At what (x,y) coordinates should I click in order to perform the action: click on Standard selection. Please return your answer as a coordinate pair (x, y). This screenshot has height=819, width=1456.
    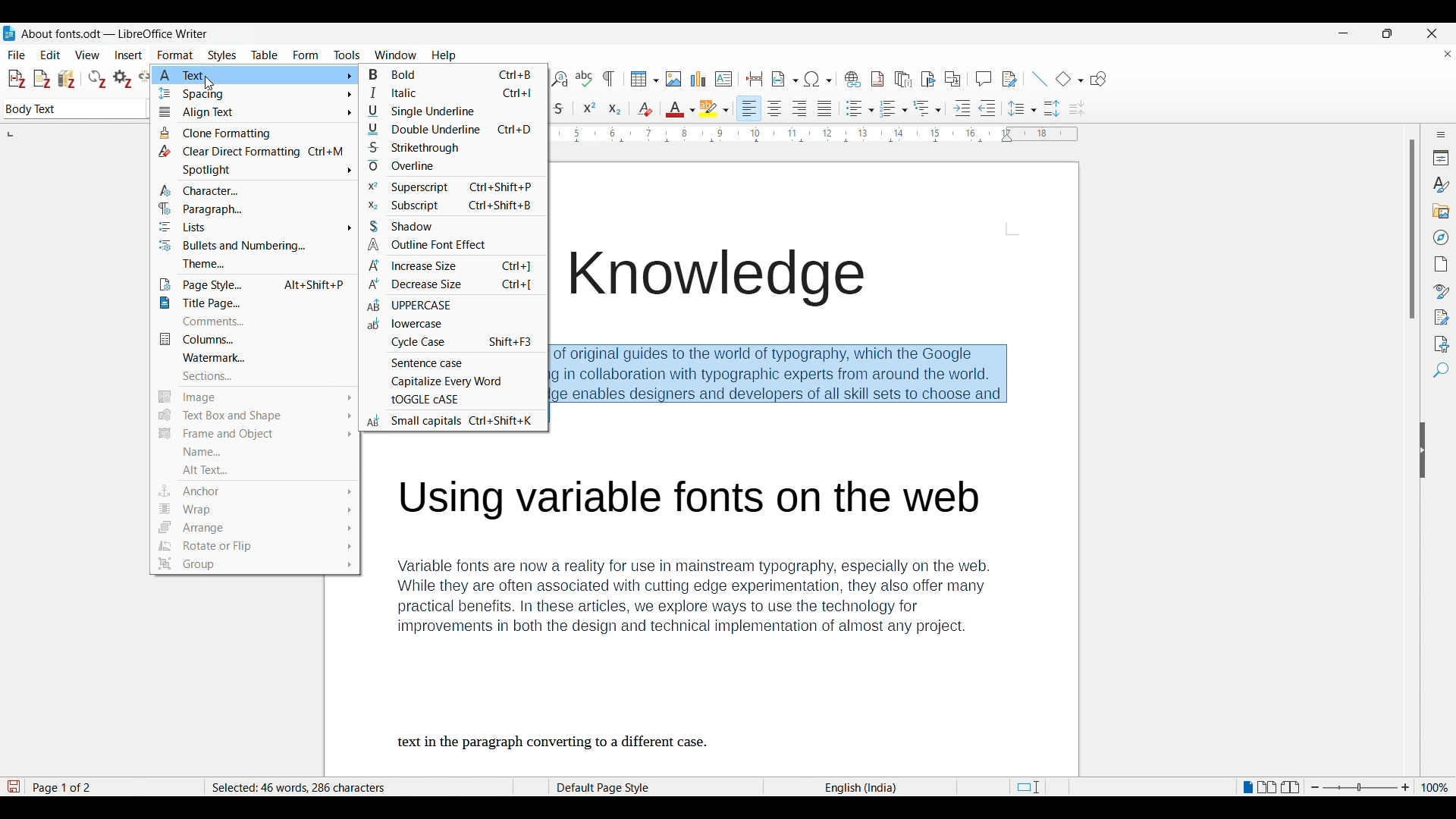
    Looking at the image, I should click on (1027, 787).